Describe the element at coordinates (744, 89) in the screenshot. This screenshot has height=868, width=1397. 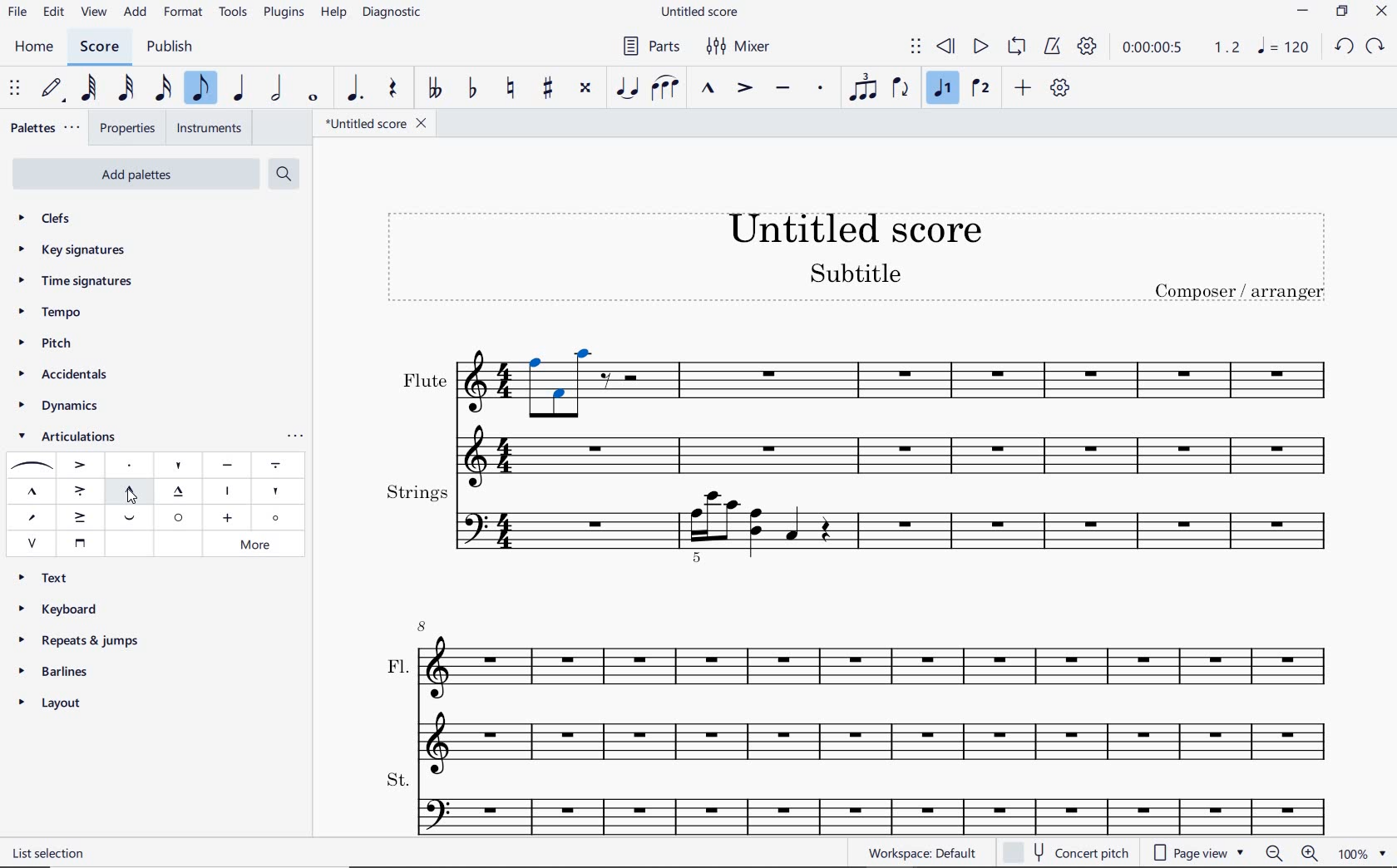
I see `ACCENT` at that location.